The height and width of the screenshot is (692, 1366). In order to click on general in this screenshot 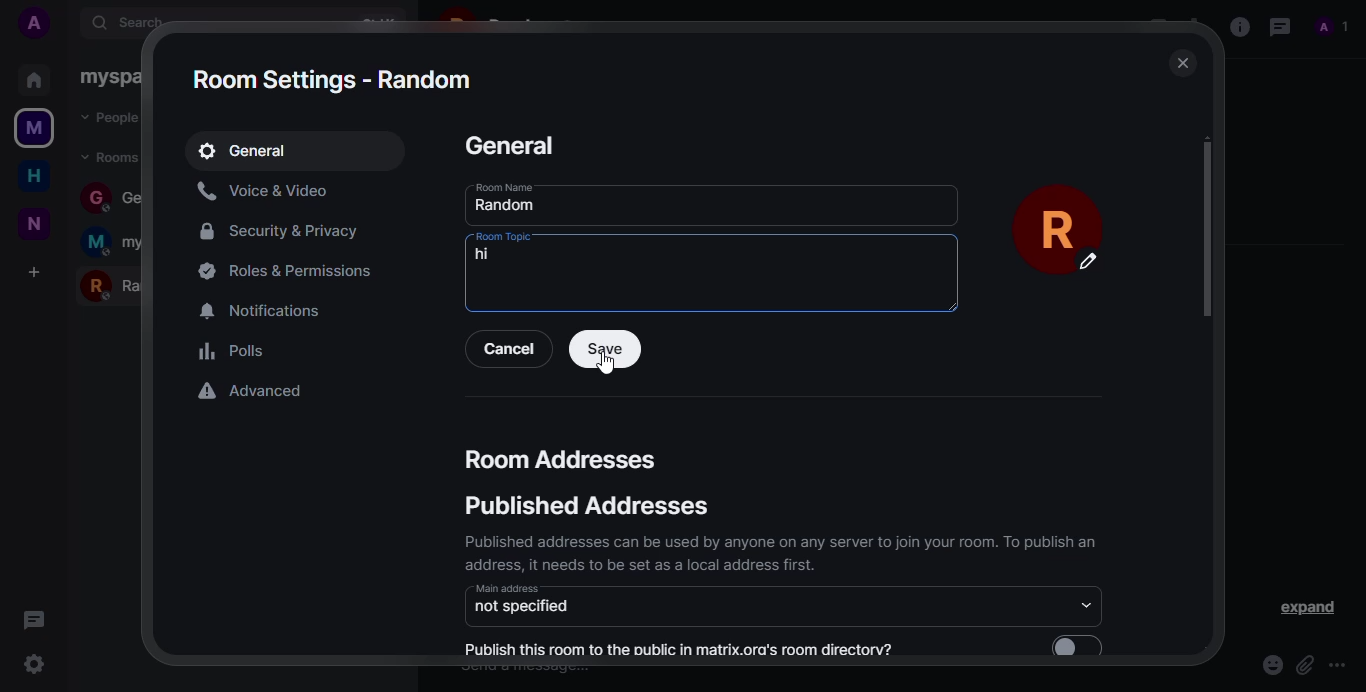, I will do `click(512, 145)`.